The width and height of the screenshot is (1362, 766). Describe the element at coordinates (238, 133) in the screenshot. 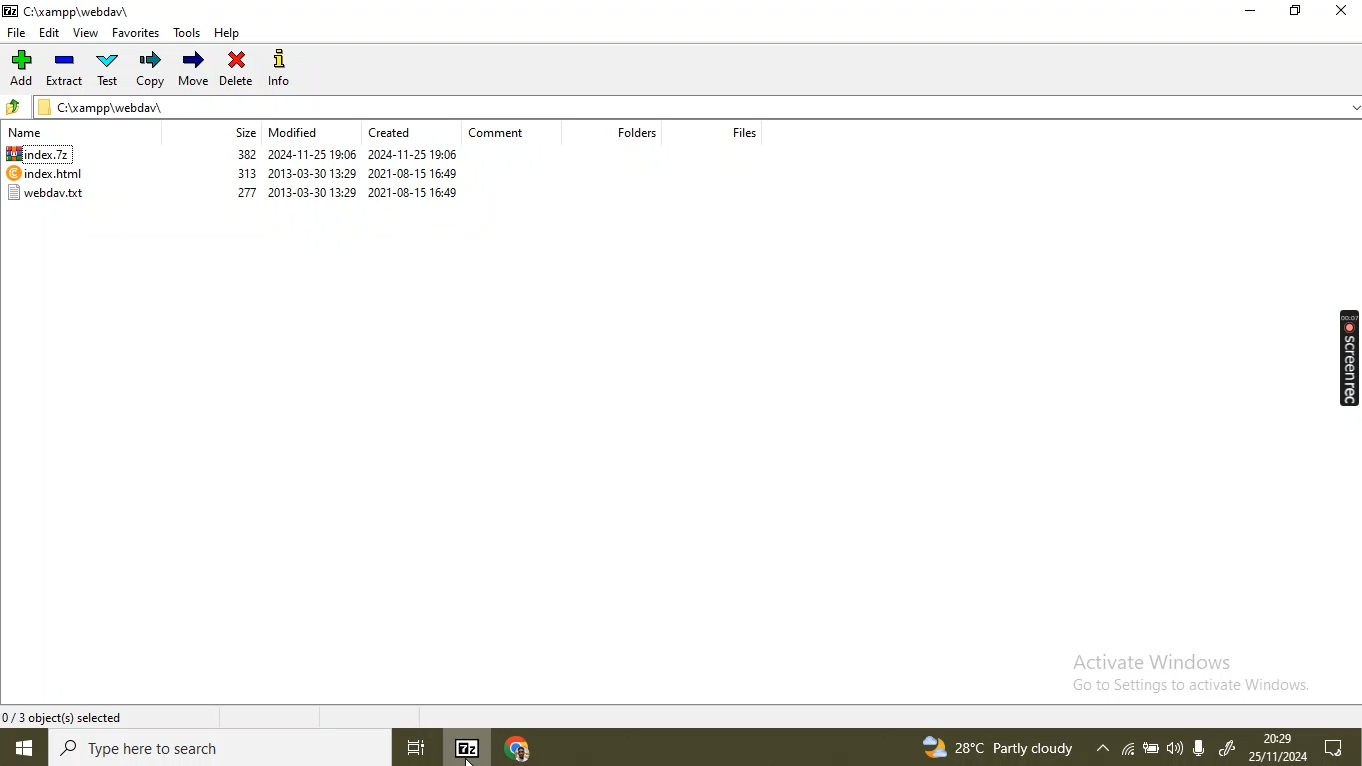

I see `size` at that location.